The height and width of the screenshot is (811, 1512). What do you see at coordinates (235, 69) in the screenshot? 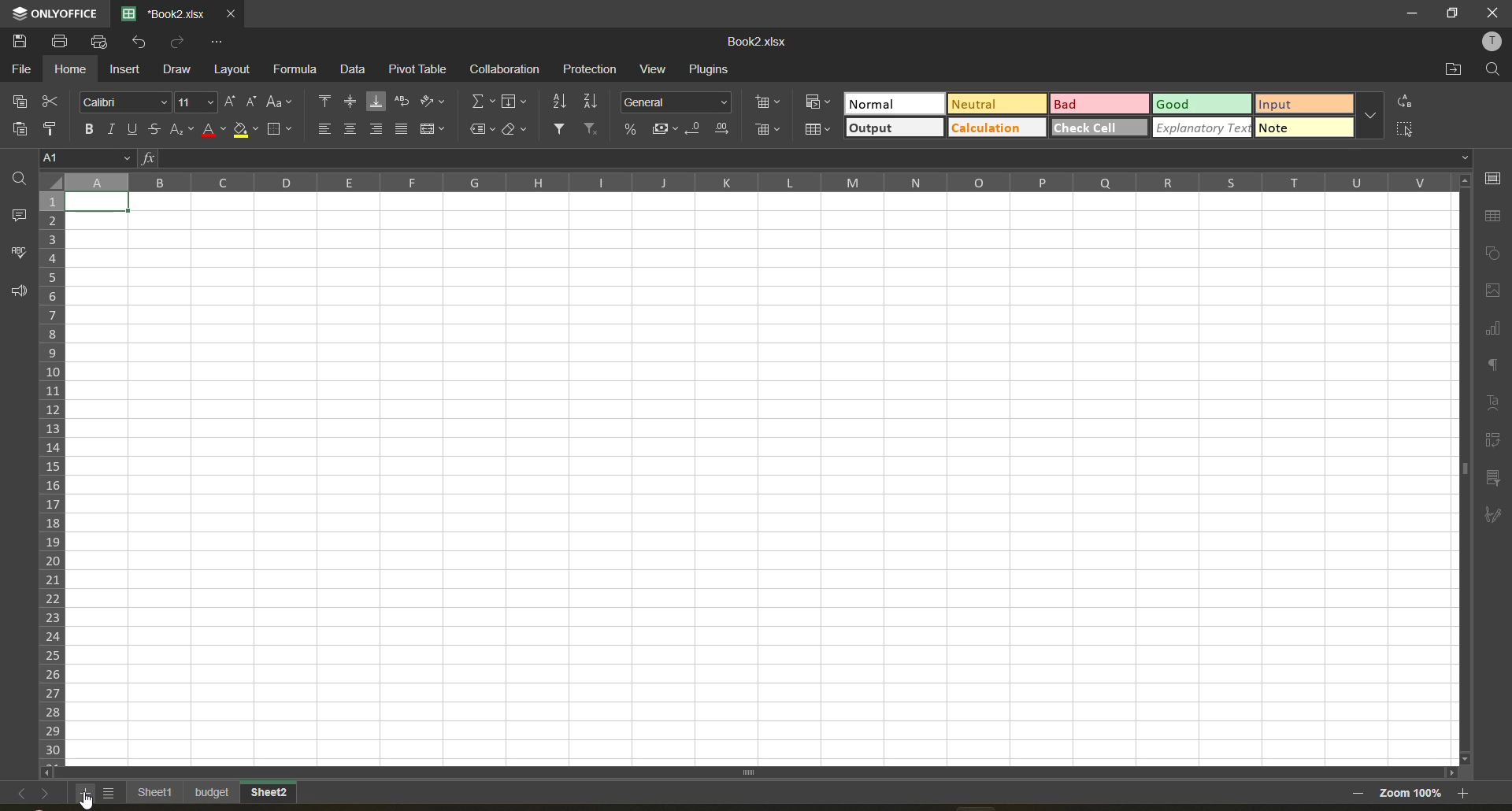
I see `layout` at bounding box center [235, 69].